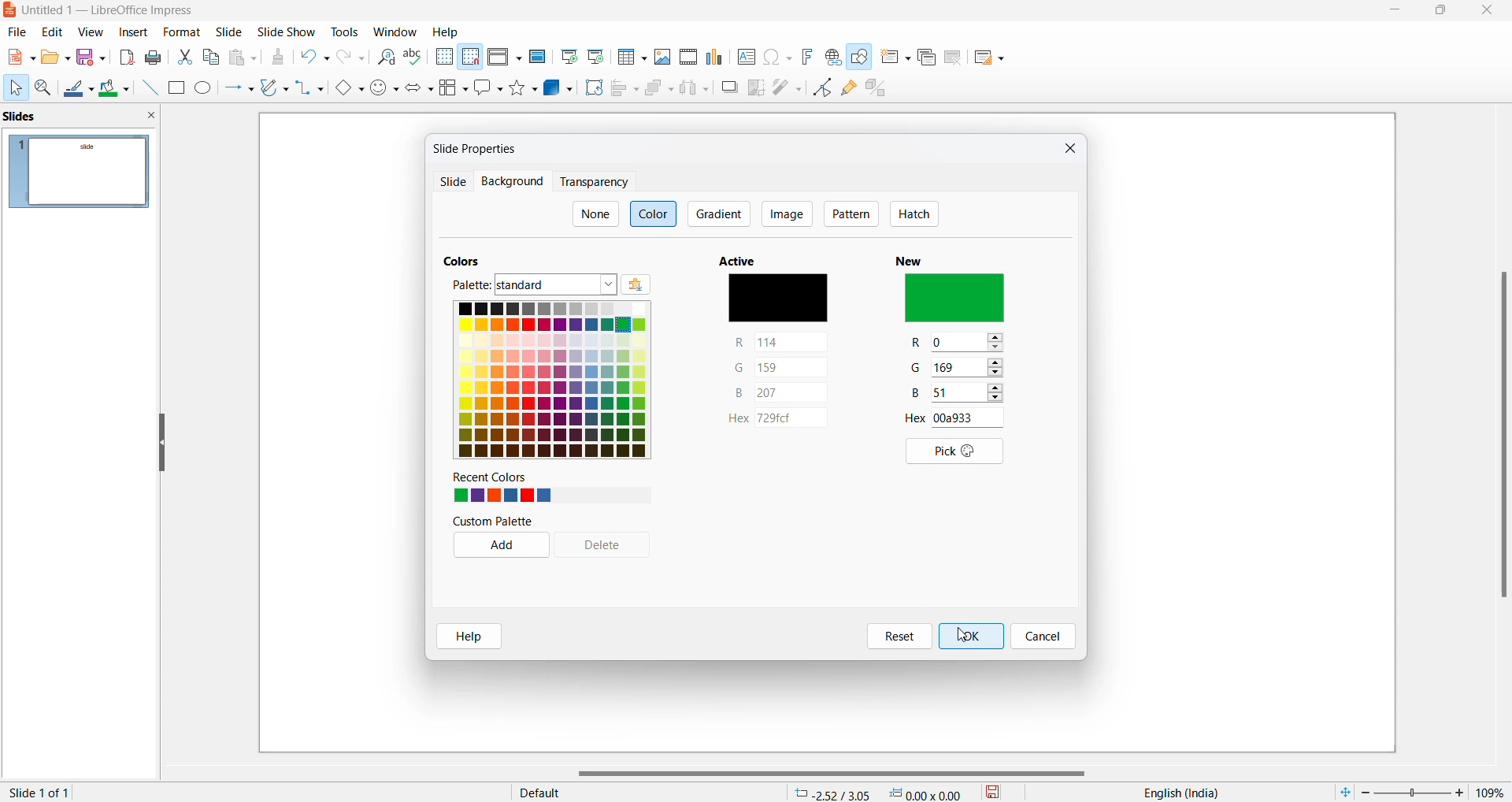 The width and height of the screenshot is (1512, 802). Describe the element at coordinates (839, 774) in the screenshot. I see `scrollbar` at that location.